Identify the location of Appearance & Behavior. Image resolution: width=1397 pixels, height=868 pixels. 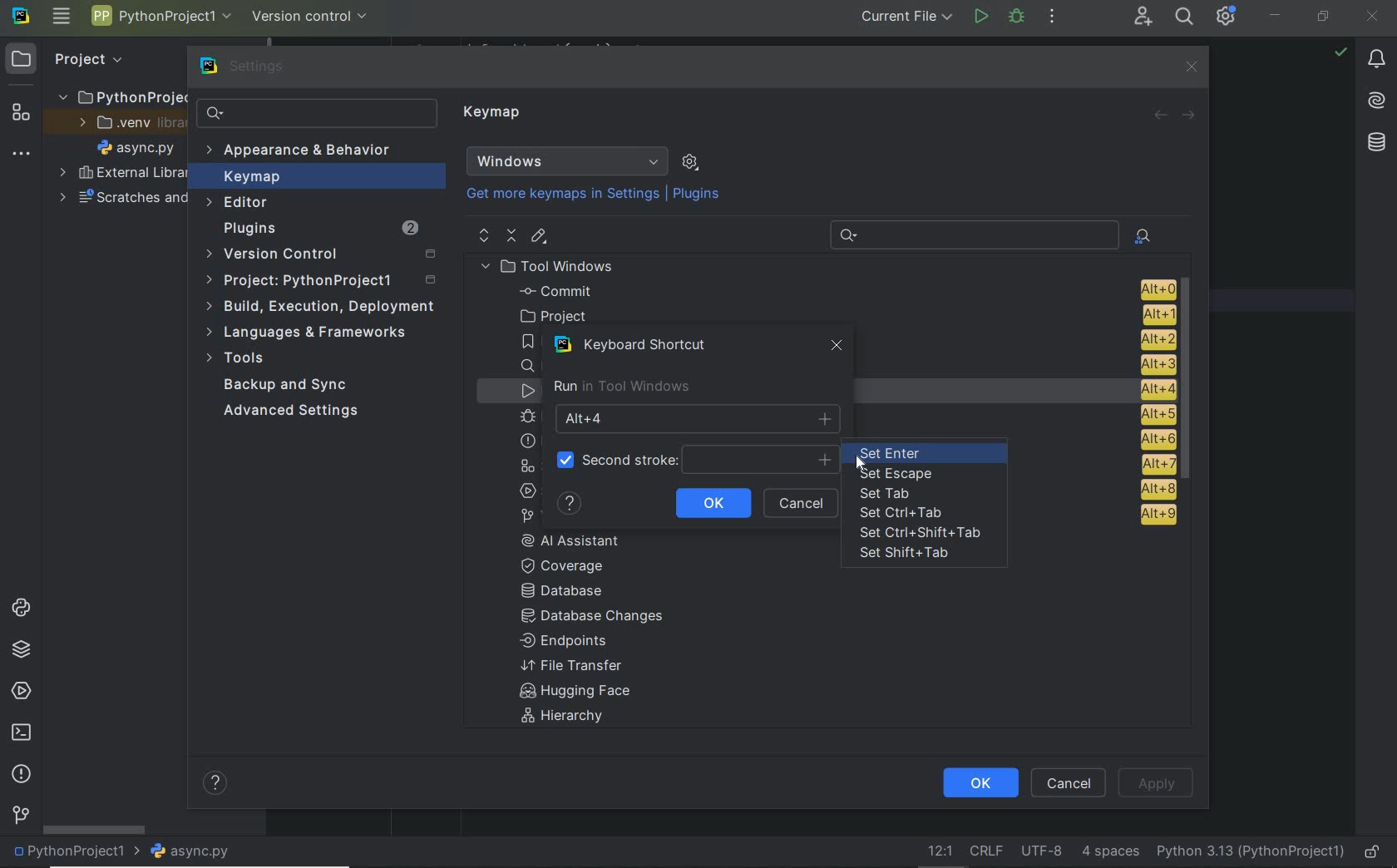
(301, 151).